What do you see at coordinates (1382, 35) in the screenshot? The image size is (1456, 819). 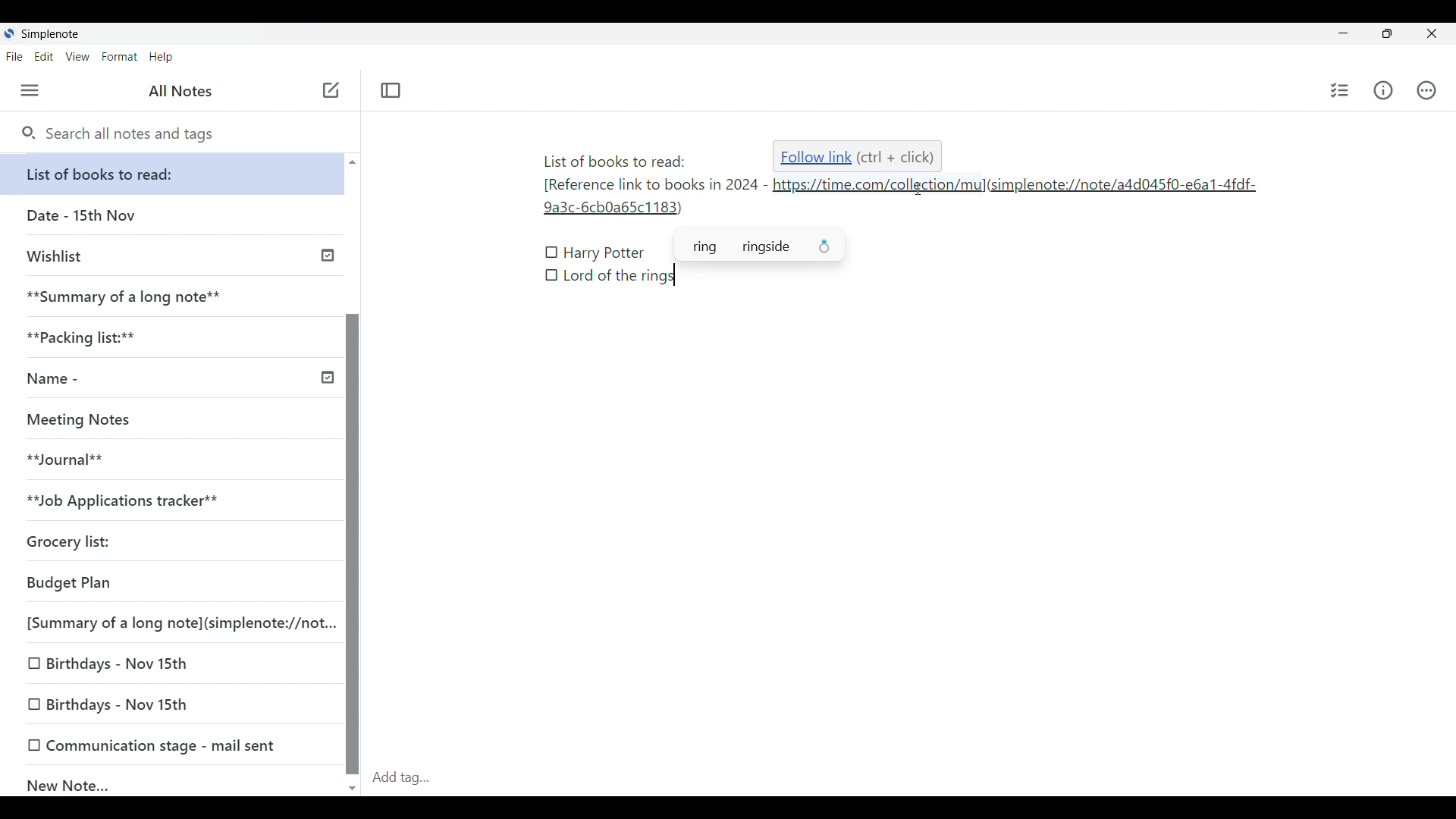 I see `Resize` at bounding box center [1382, 35].